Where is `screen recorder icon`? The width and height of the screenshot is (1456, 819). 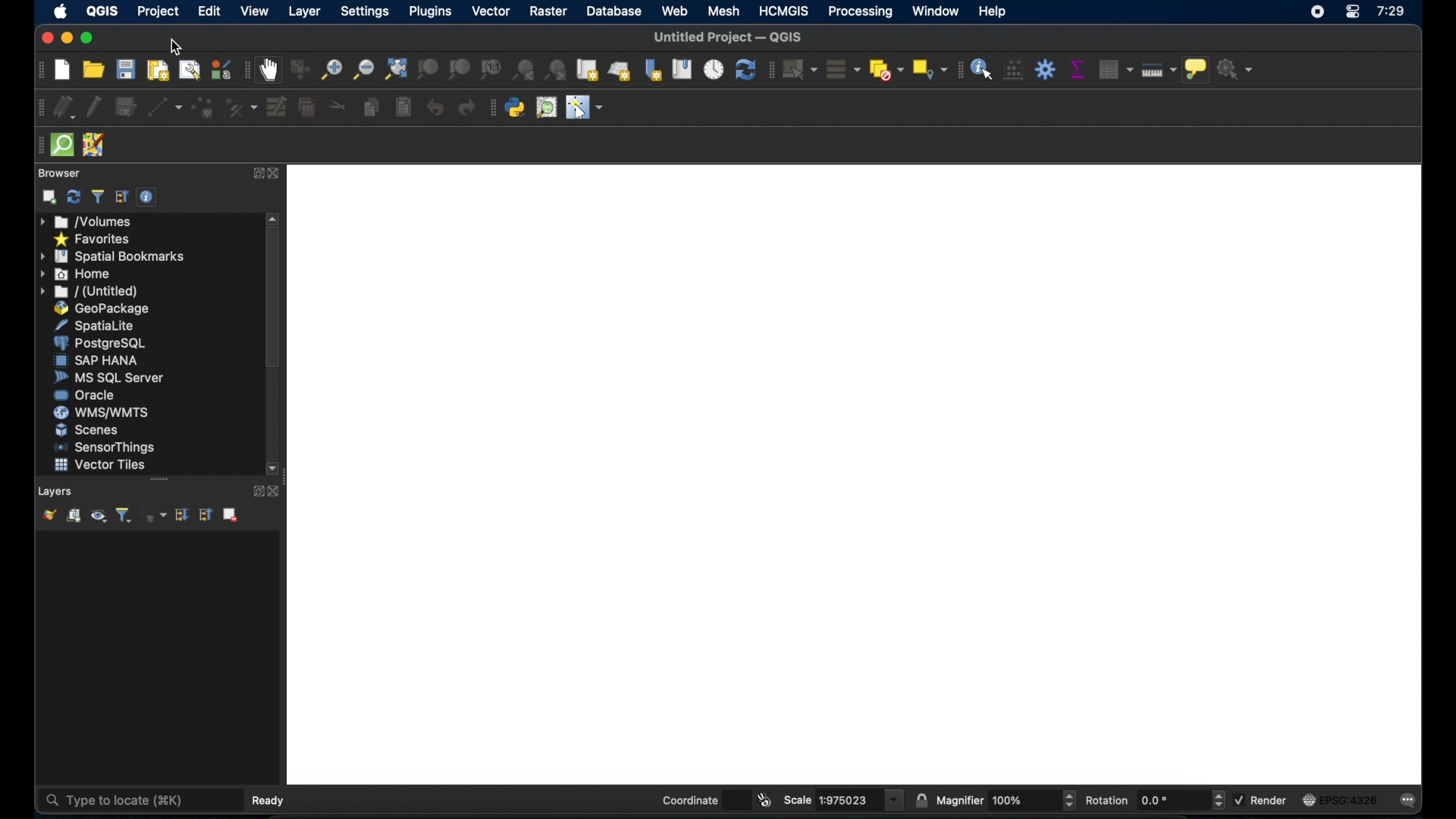
screen recorder icon is located at coordinates (1317, 11).